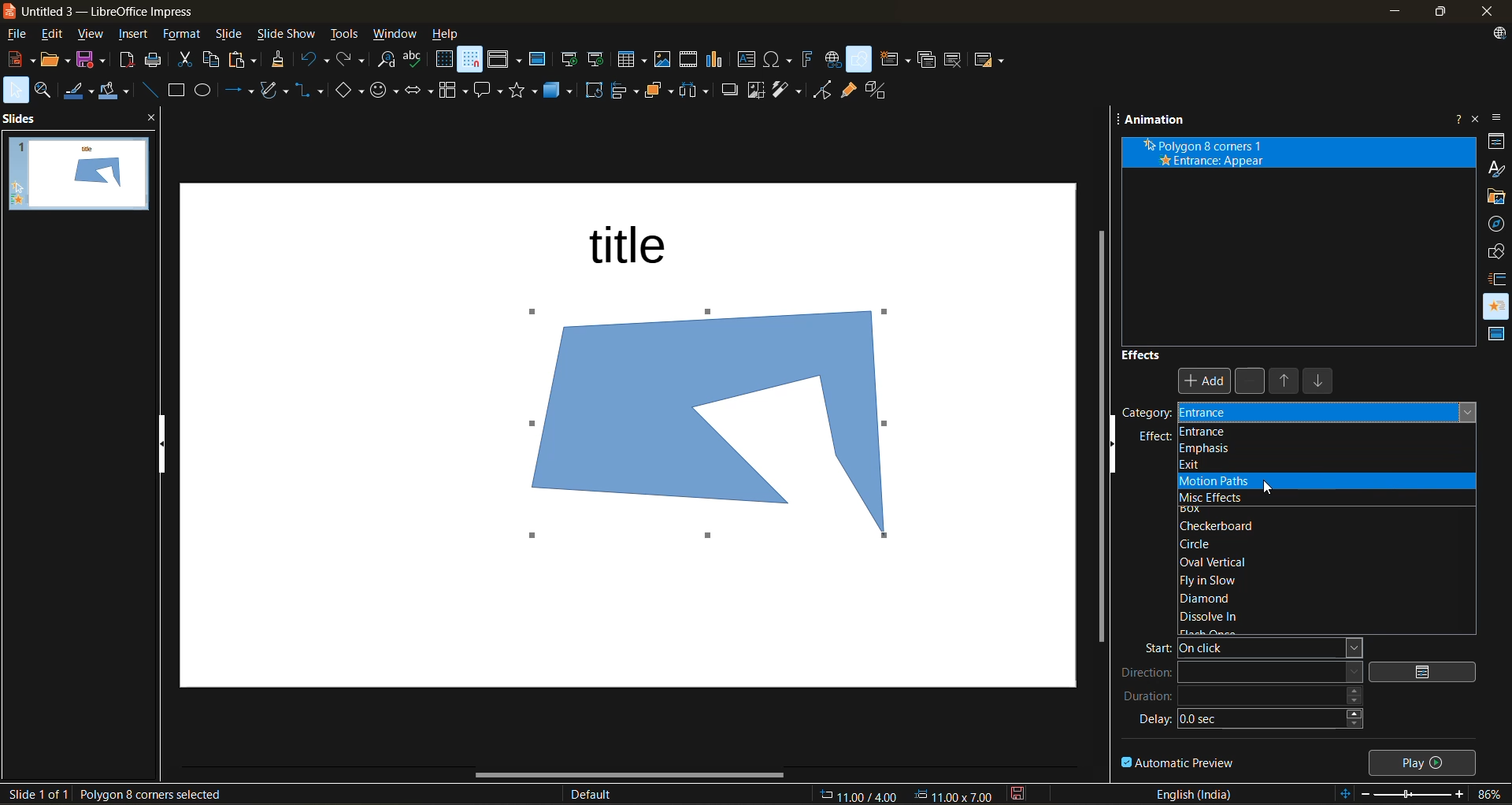 This screenshot has height=805, width=1512. What do you see at coordinates (1242, 673) in the screenshot?
I see `direction` at bounding box center [1242, 673].